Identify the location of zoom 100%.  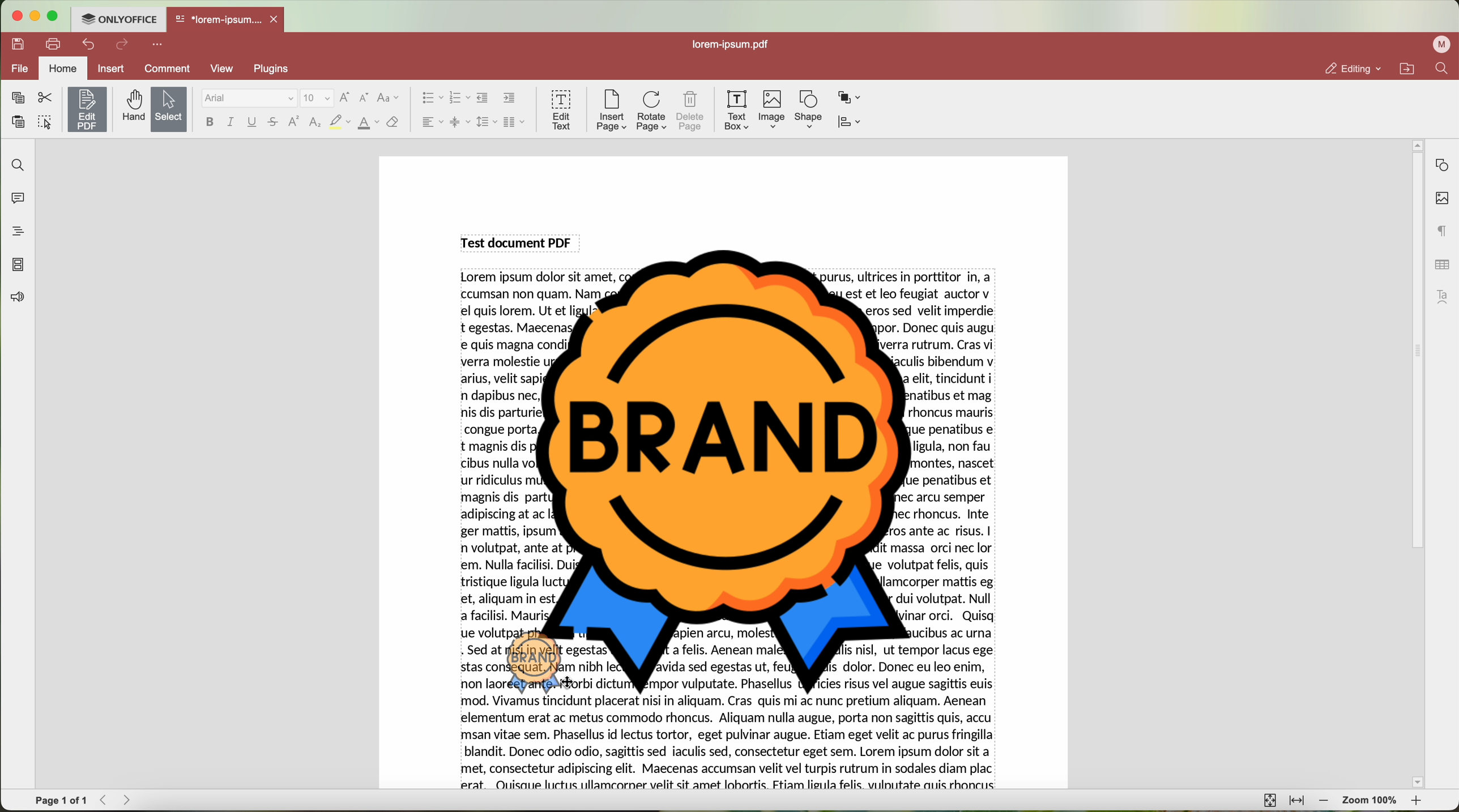
(1371, 802).